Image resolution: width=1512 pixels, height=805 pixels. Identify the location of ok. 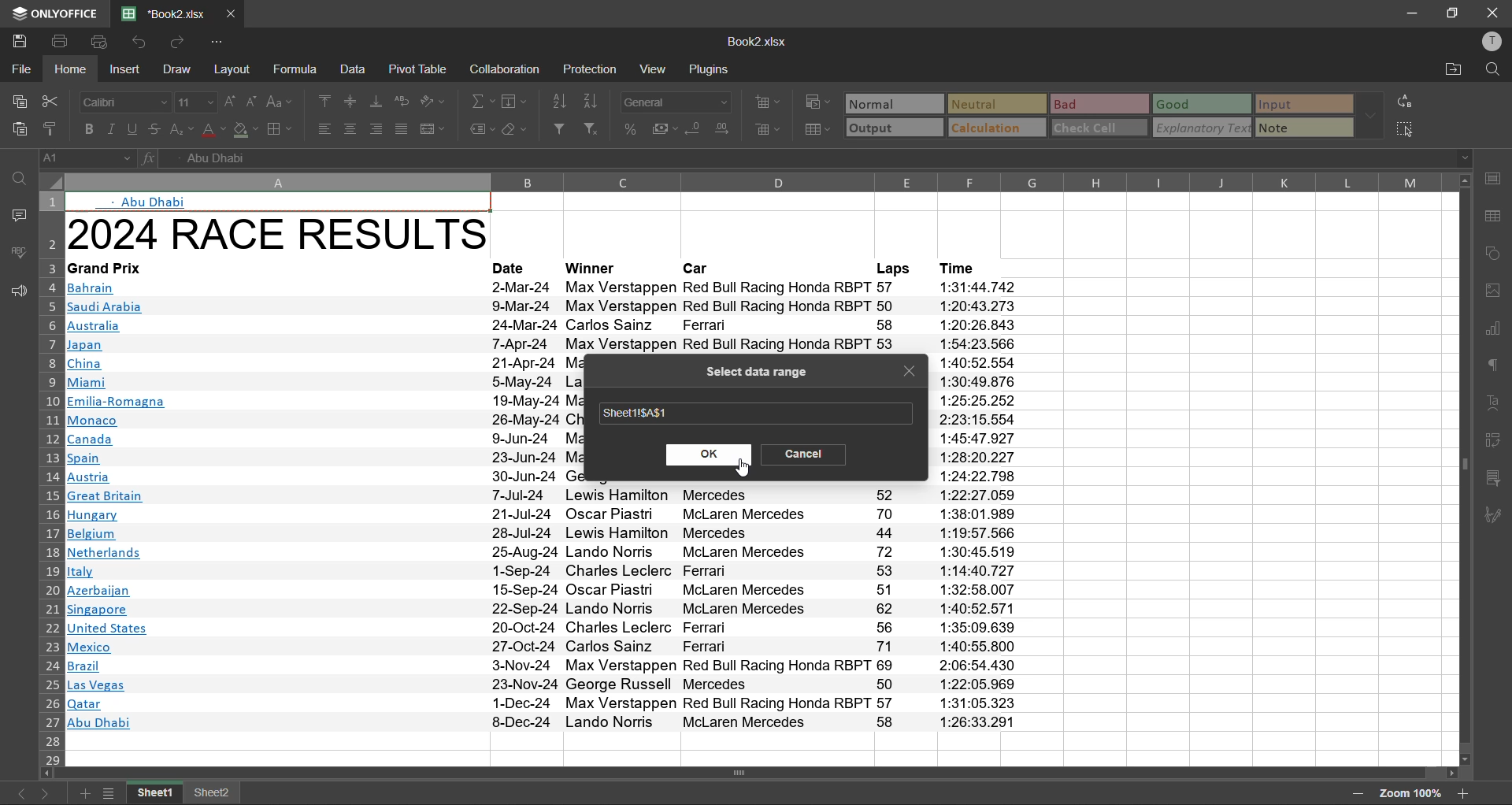
(711, 454).